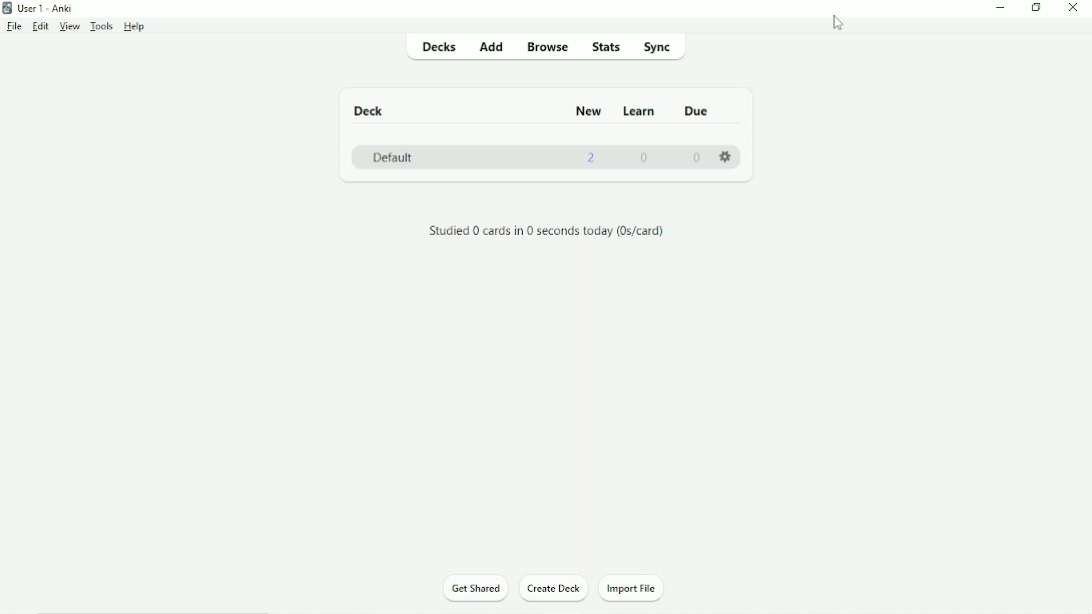 This screenshot has height=614, width=1092. What do you see at coordinates (635, 588) in the screenshot?
I see `Import File` at bounding box center [635, 588].